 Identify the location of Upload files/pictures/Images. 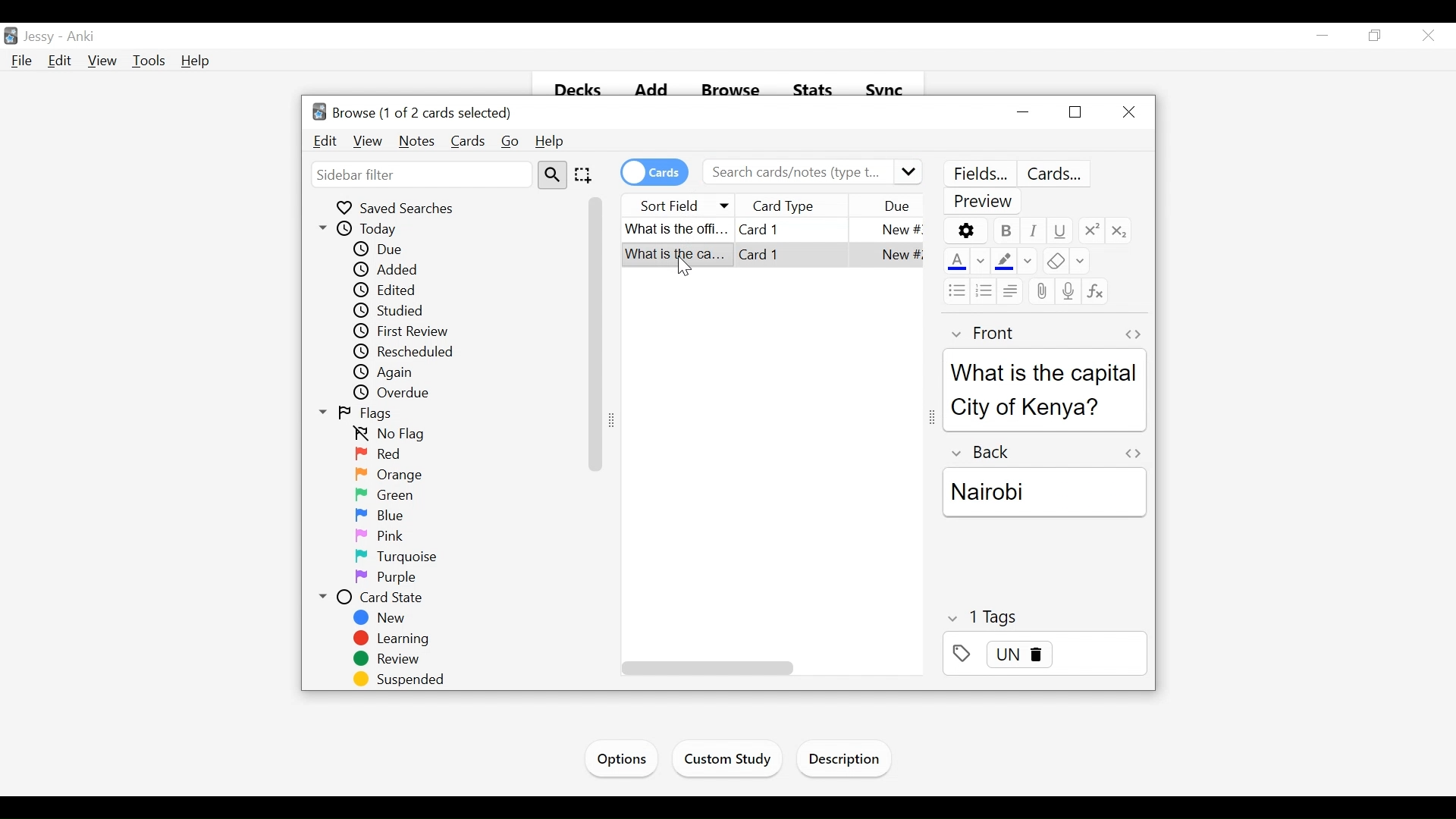
(1040, 293).